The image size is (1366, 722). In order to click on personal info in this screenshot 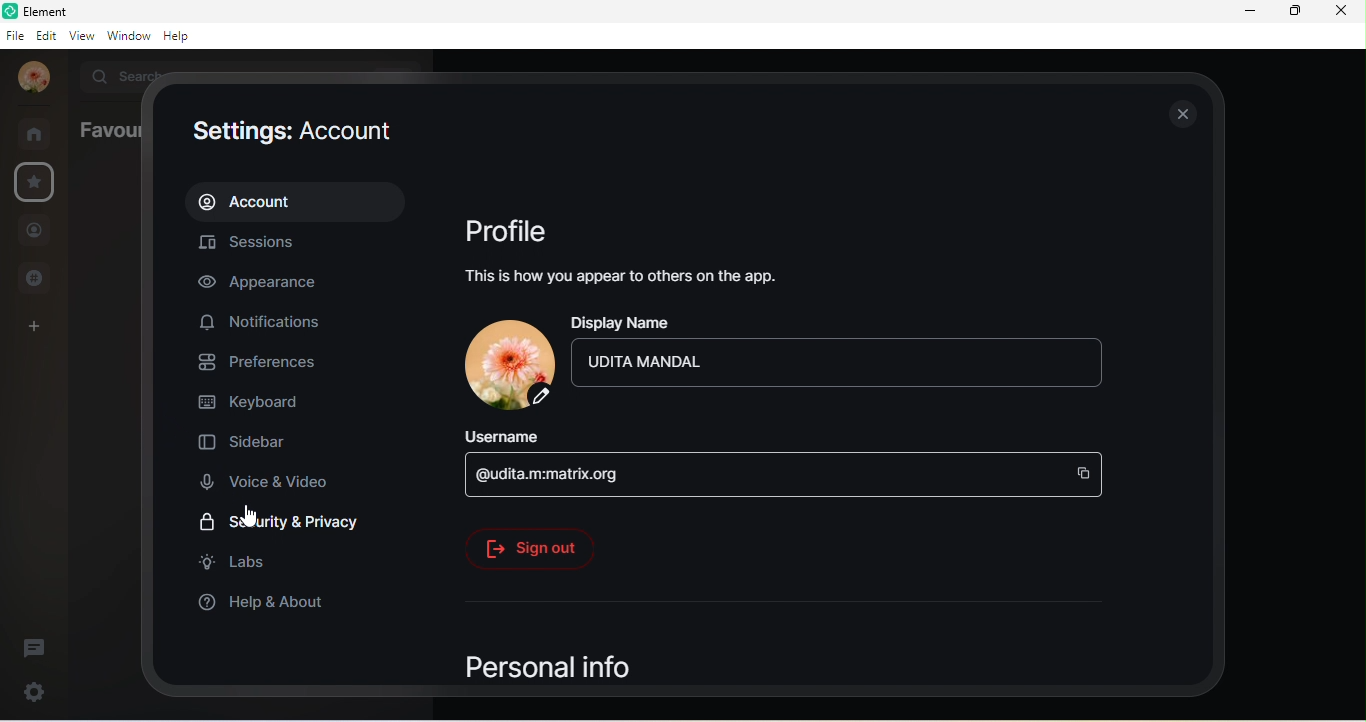, I will do `click(545, 663)`.